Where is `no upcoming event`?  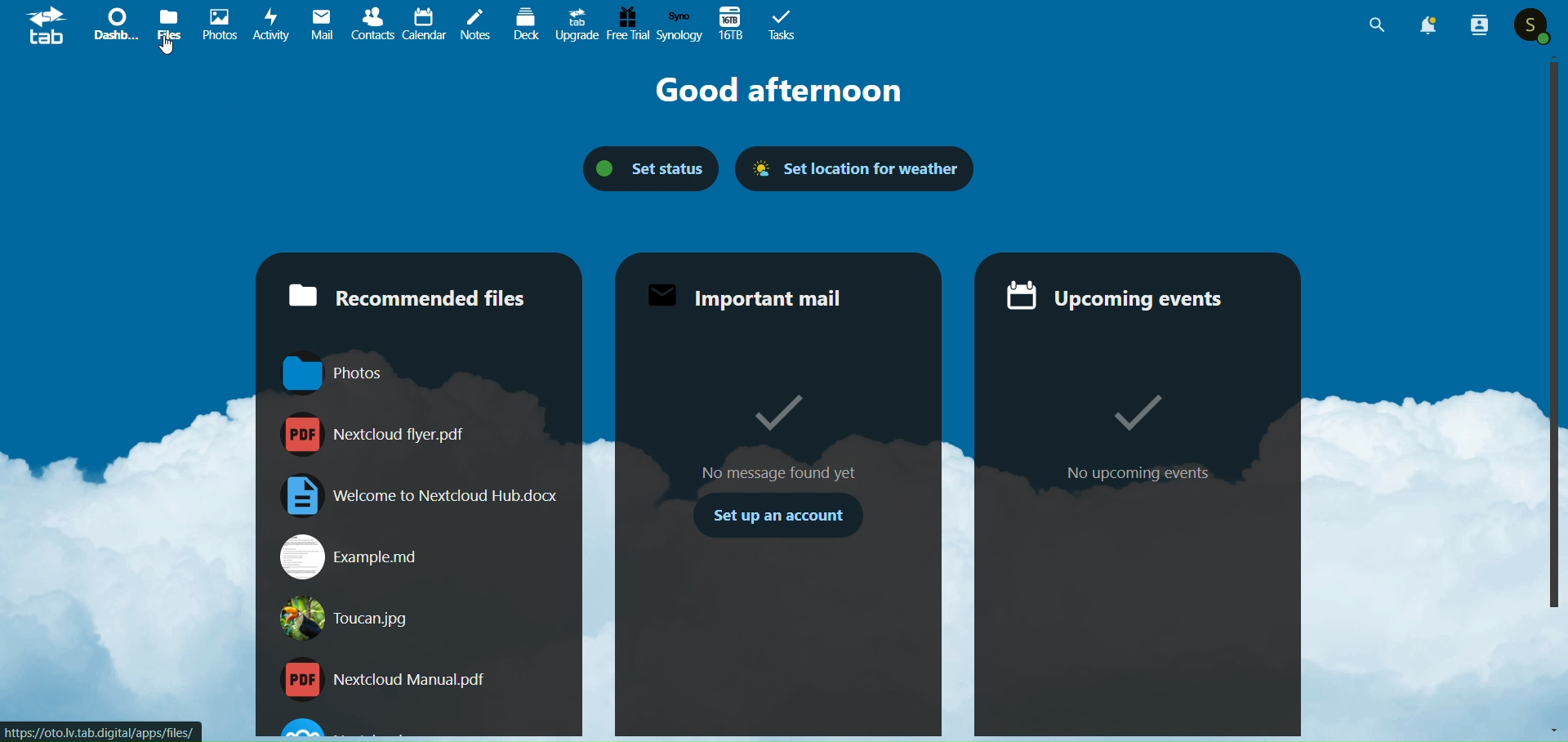
no upcoming event is located at coordinates (1138, 473).